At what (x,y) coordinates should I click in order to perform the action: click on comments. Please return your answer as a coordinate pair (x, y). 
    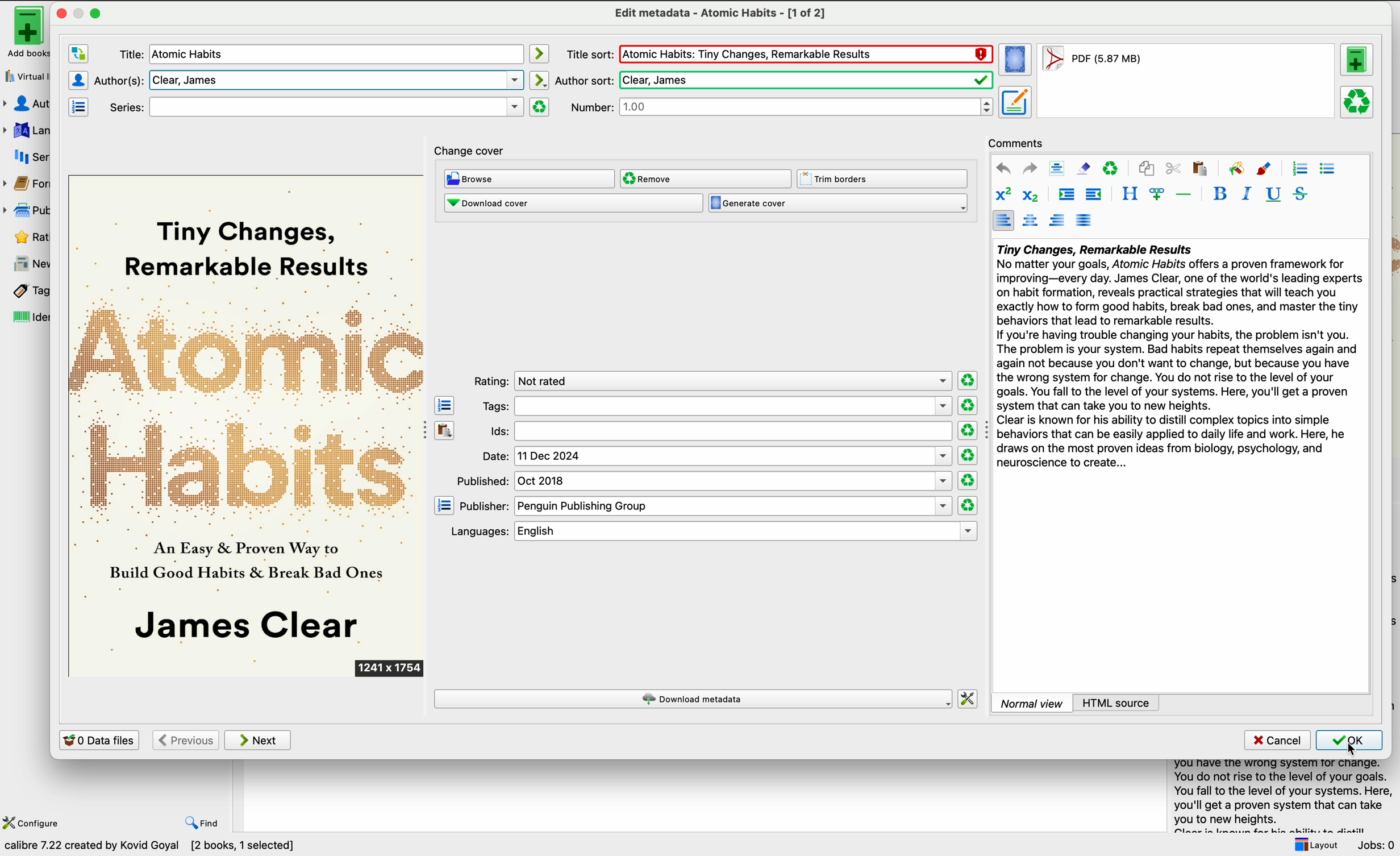
    Looking at the image, I should click on (1016, 142).